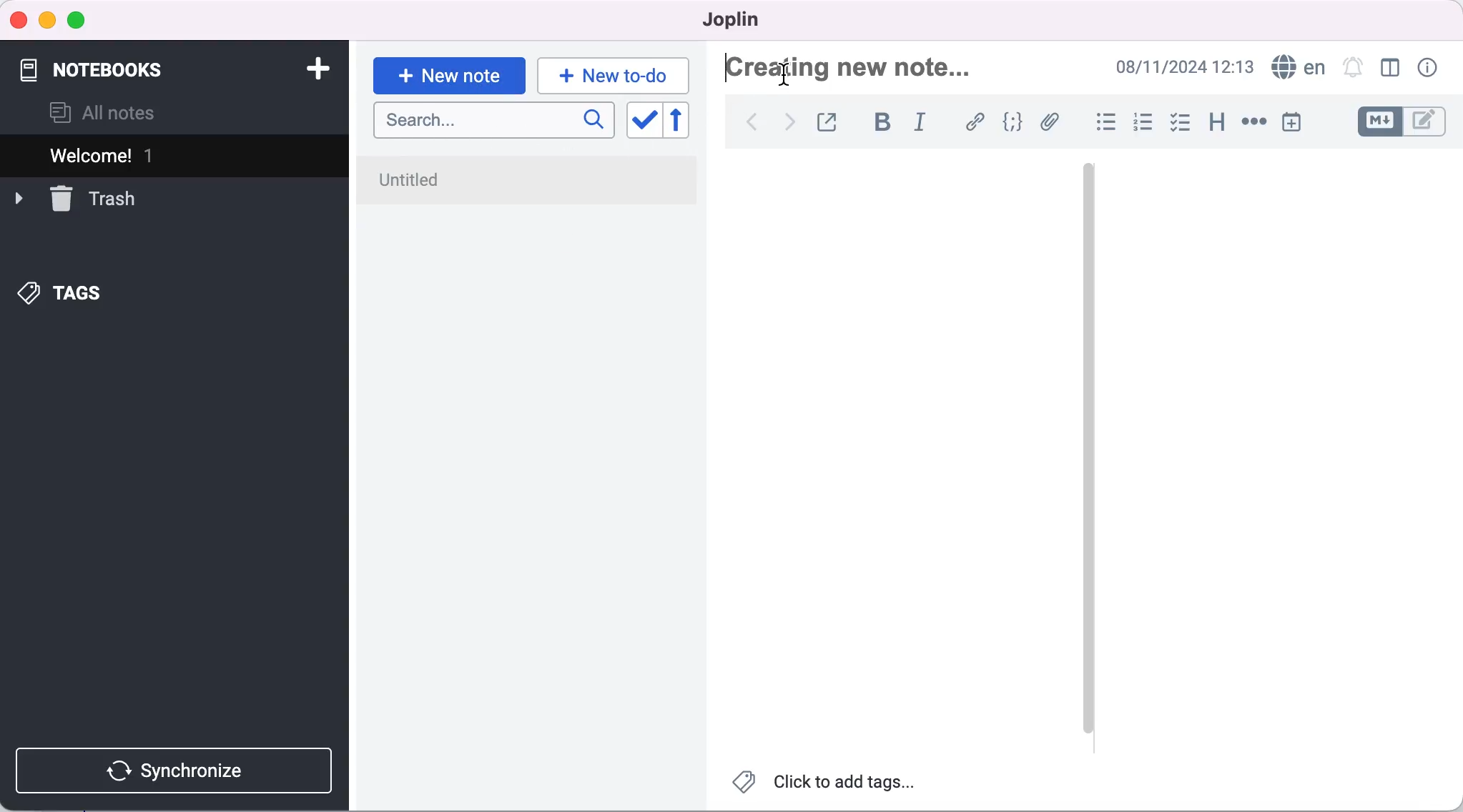  What do you see at coordinates (1088, 450) in the screenshot?
I see `vertical slider` at bounding box center [1088, 450].